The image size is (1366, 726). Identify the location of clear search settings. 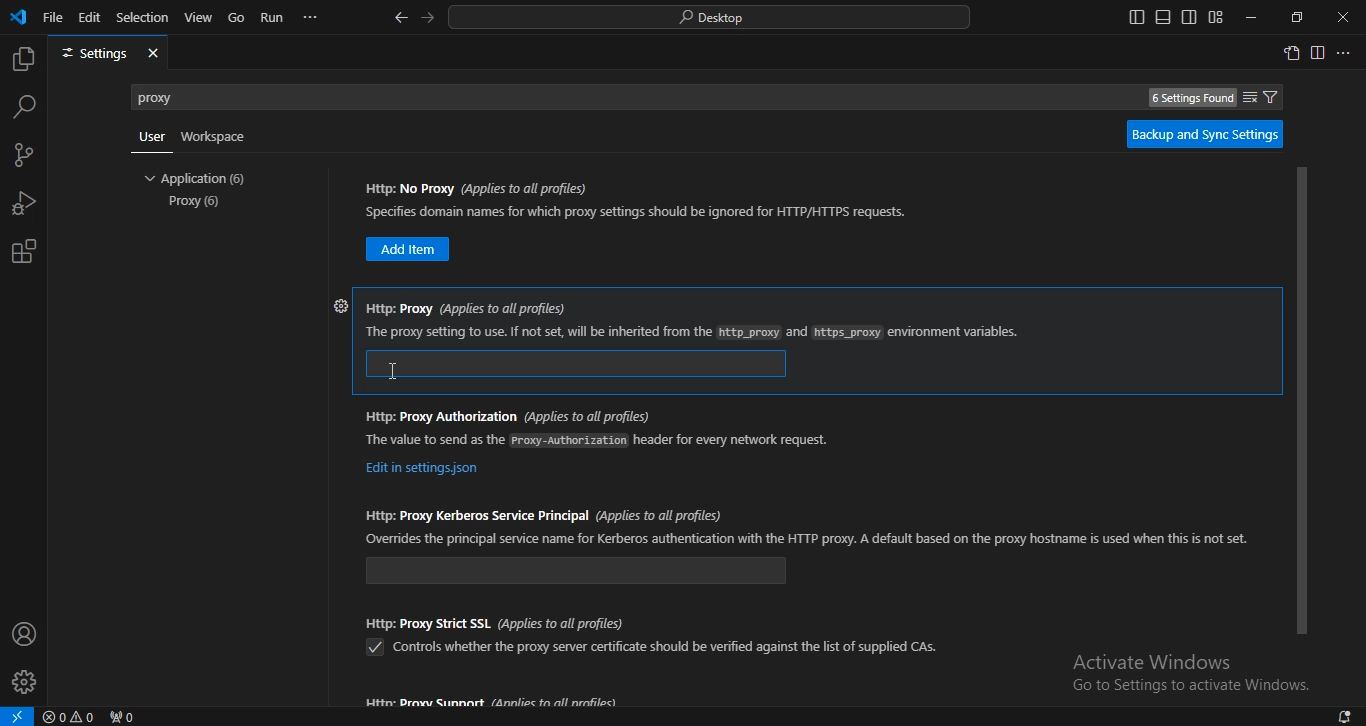
(1248, 95).